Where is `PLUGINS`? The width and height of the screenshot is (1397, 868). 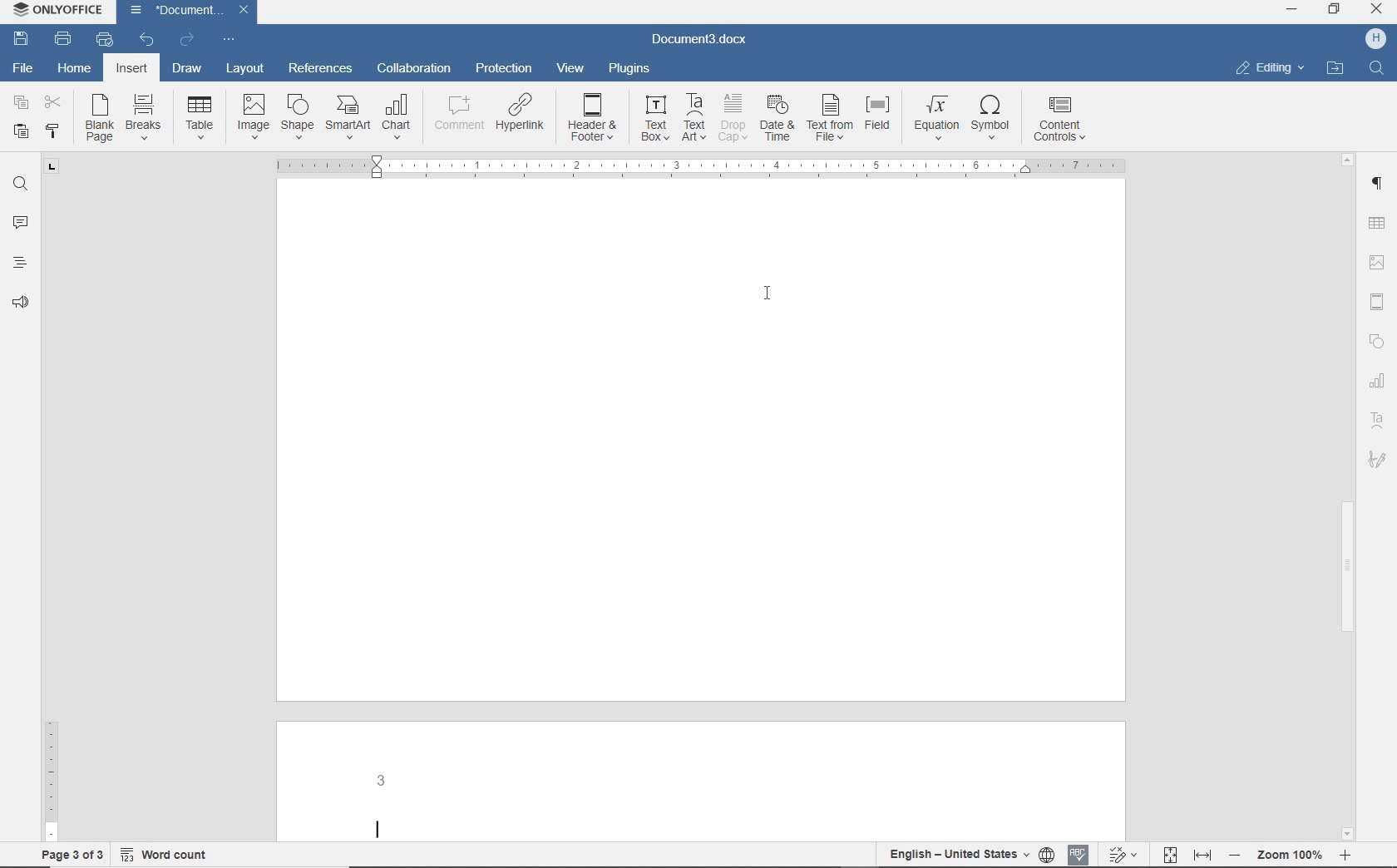 PLUGINS is located at coordinates (630, 69).